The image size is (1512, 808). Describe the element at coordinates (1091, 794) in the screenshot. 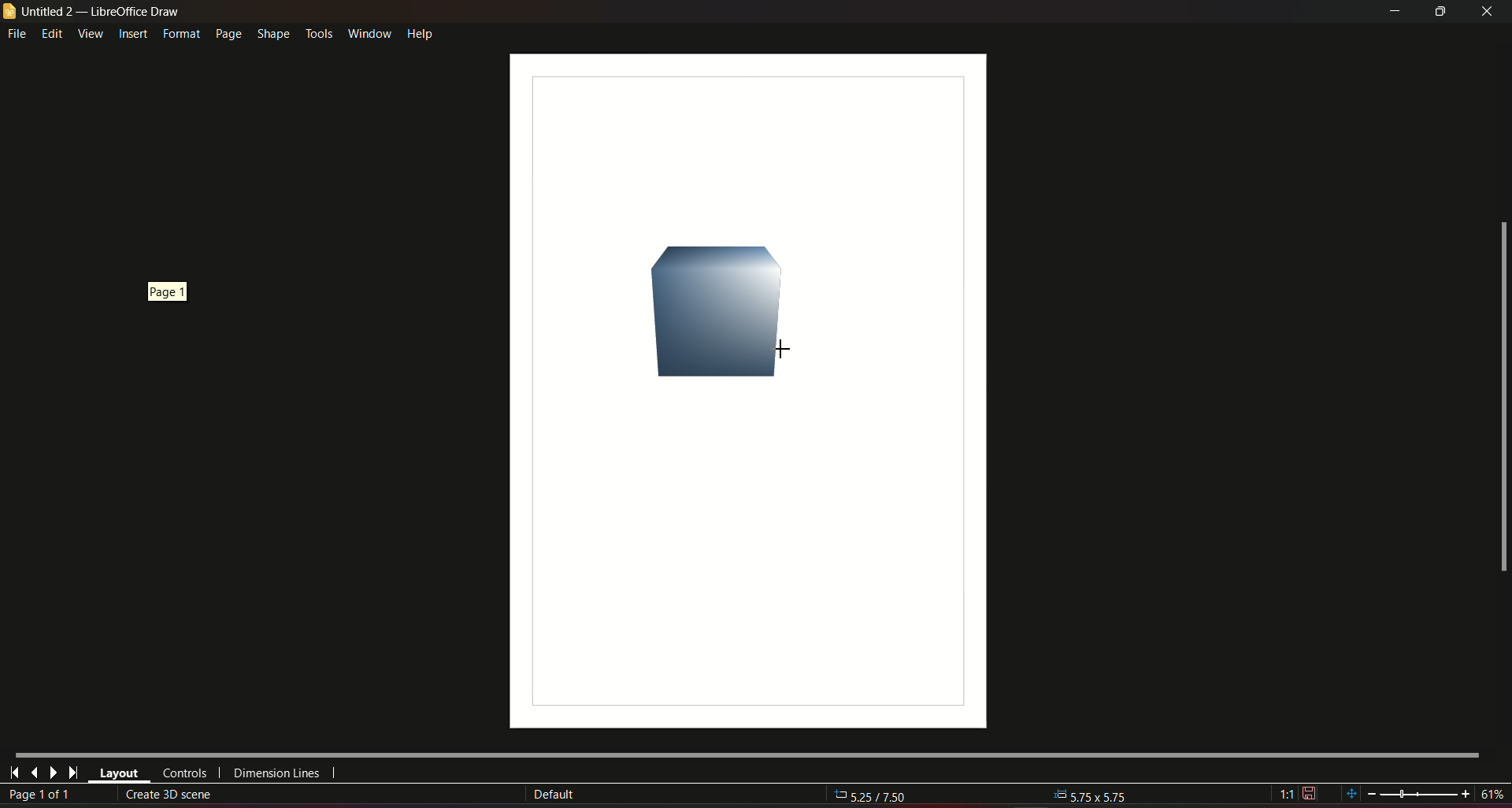

I see `5.75x5.75` at that location.